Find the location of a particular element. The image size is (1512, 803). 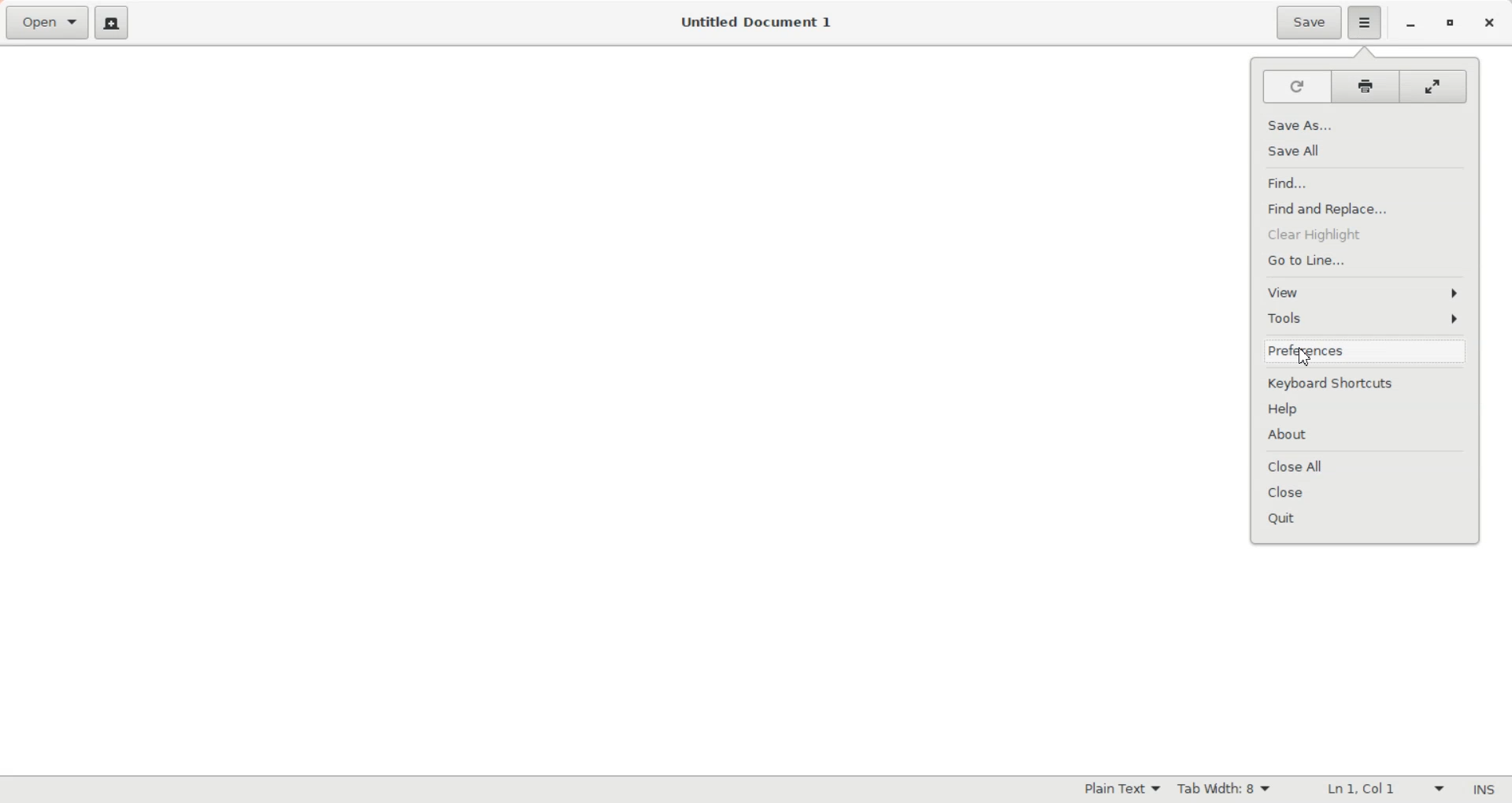

Find and Replace is located at coordinates (1365, 206).